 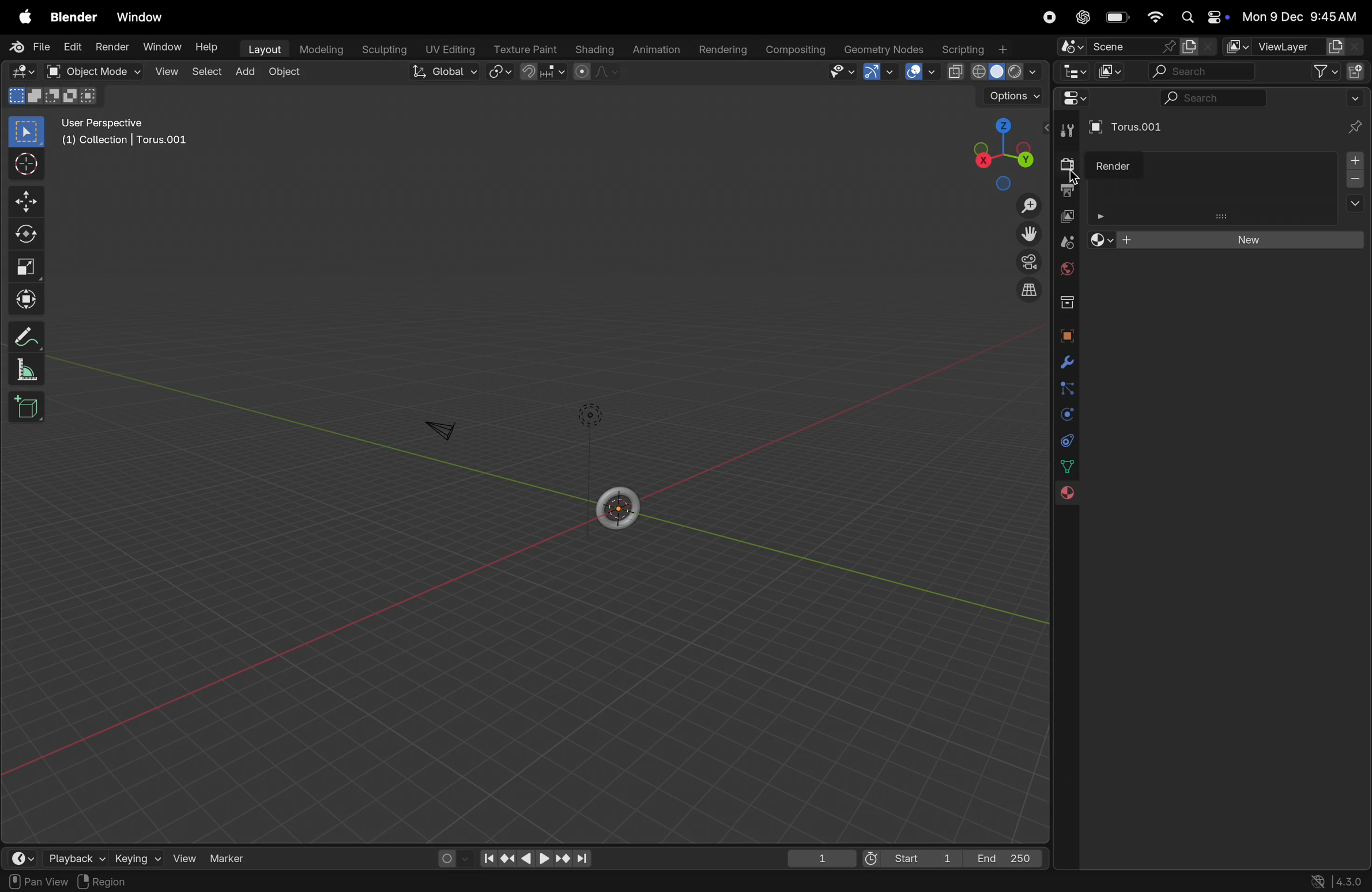 I want to click on arrow, so click(x=880, y=74).